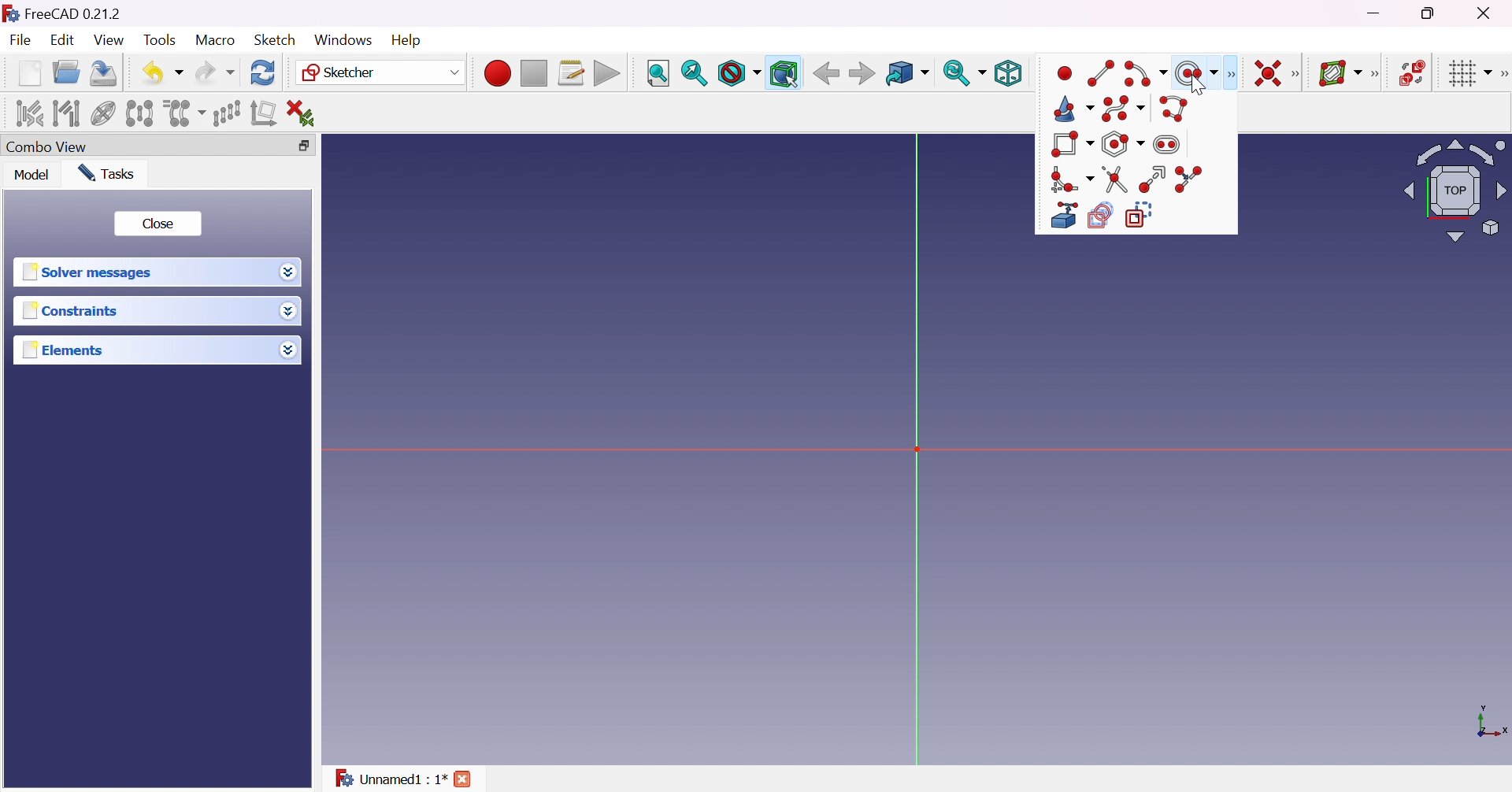 The height and width of the screenshot is (792, 1512). Describe the element at coordinates (291, 313) in the screenshot. I see `Drop` at that location.